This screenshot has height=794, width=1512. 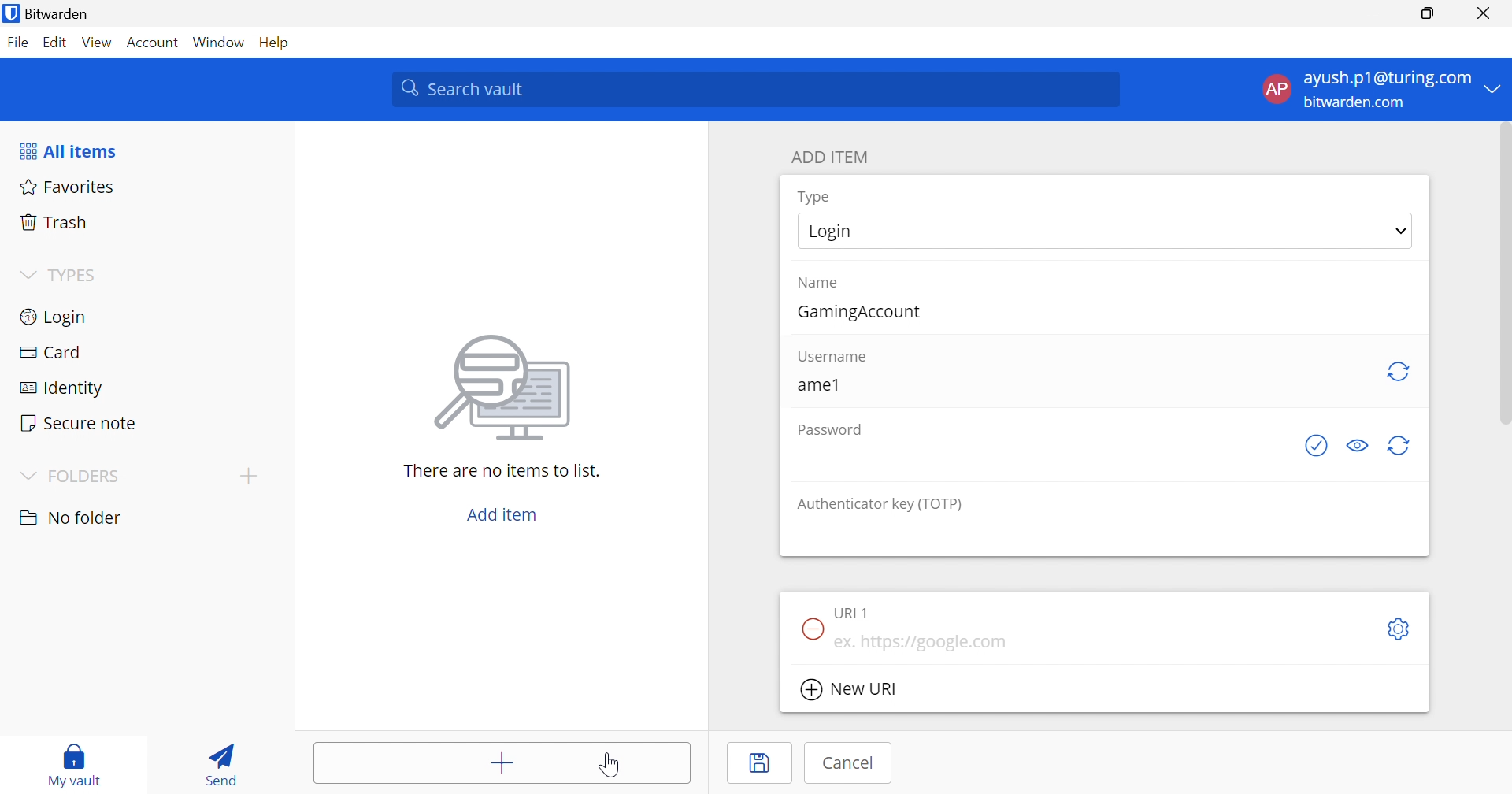 I want to click on Add items, so click(x=499, y=763).